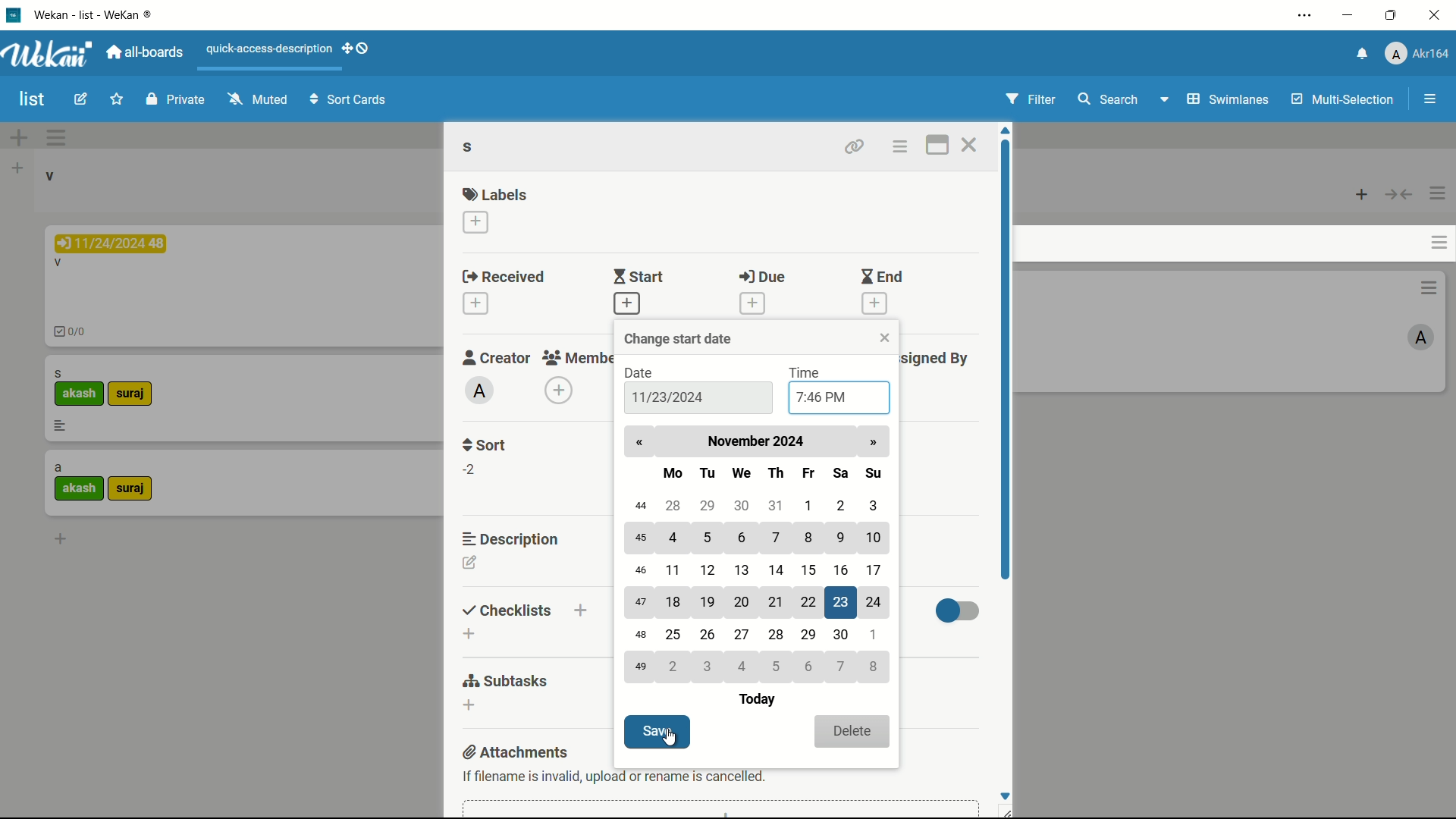 The height and width of the screenshot is (819, 1456). I want to click on label-1, so click(80, 394).